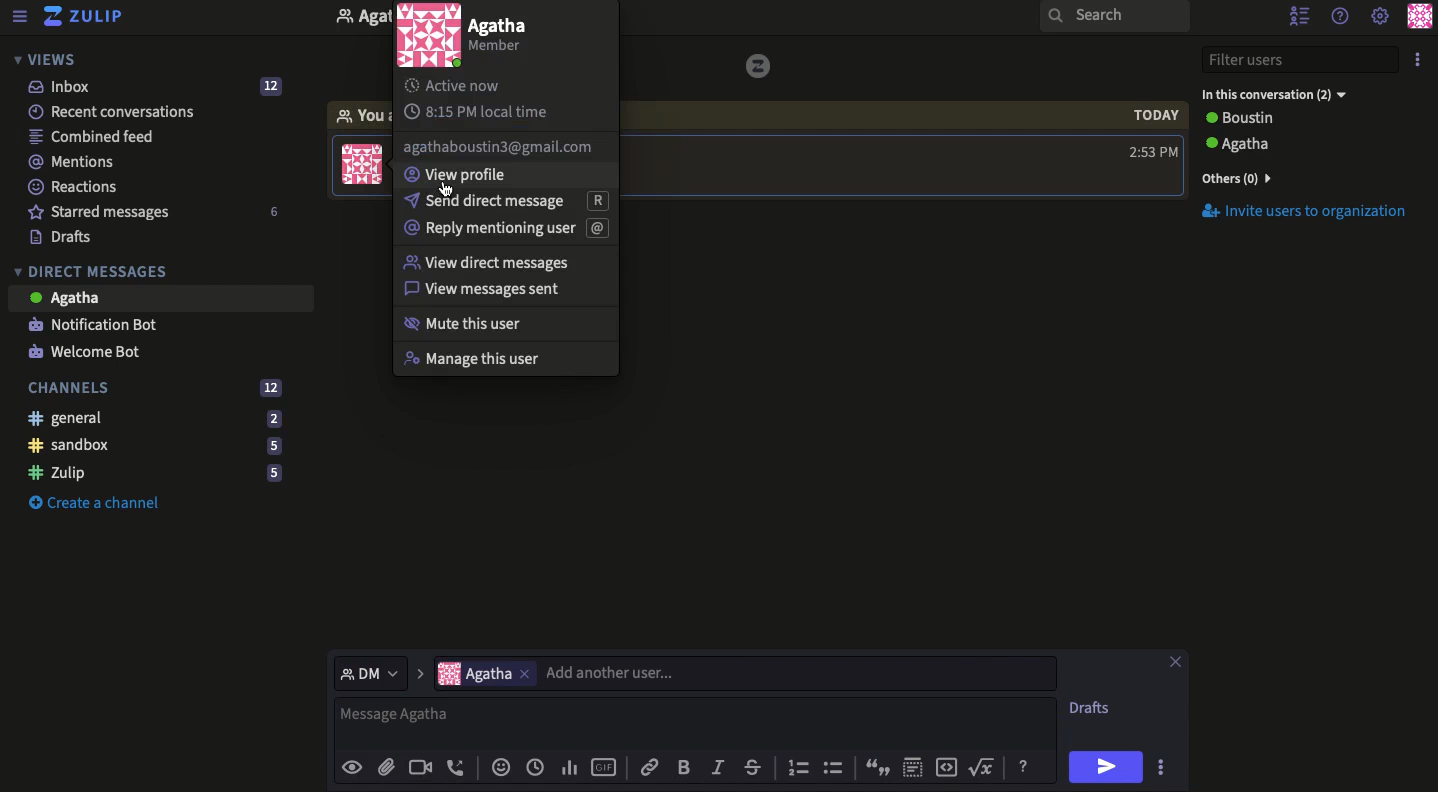 Image resolution: width=1438 pixels, height=792 pixels. Describe the element at coordinates (1304, 211) in the screenshot. I see `Invite users to organization` at that location.